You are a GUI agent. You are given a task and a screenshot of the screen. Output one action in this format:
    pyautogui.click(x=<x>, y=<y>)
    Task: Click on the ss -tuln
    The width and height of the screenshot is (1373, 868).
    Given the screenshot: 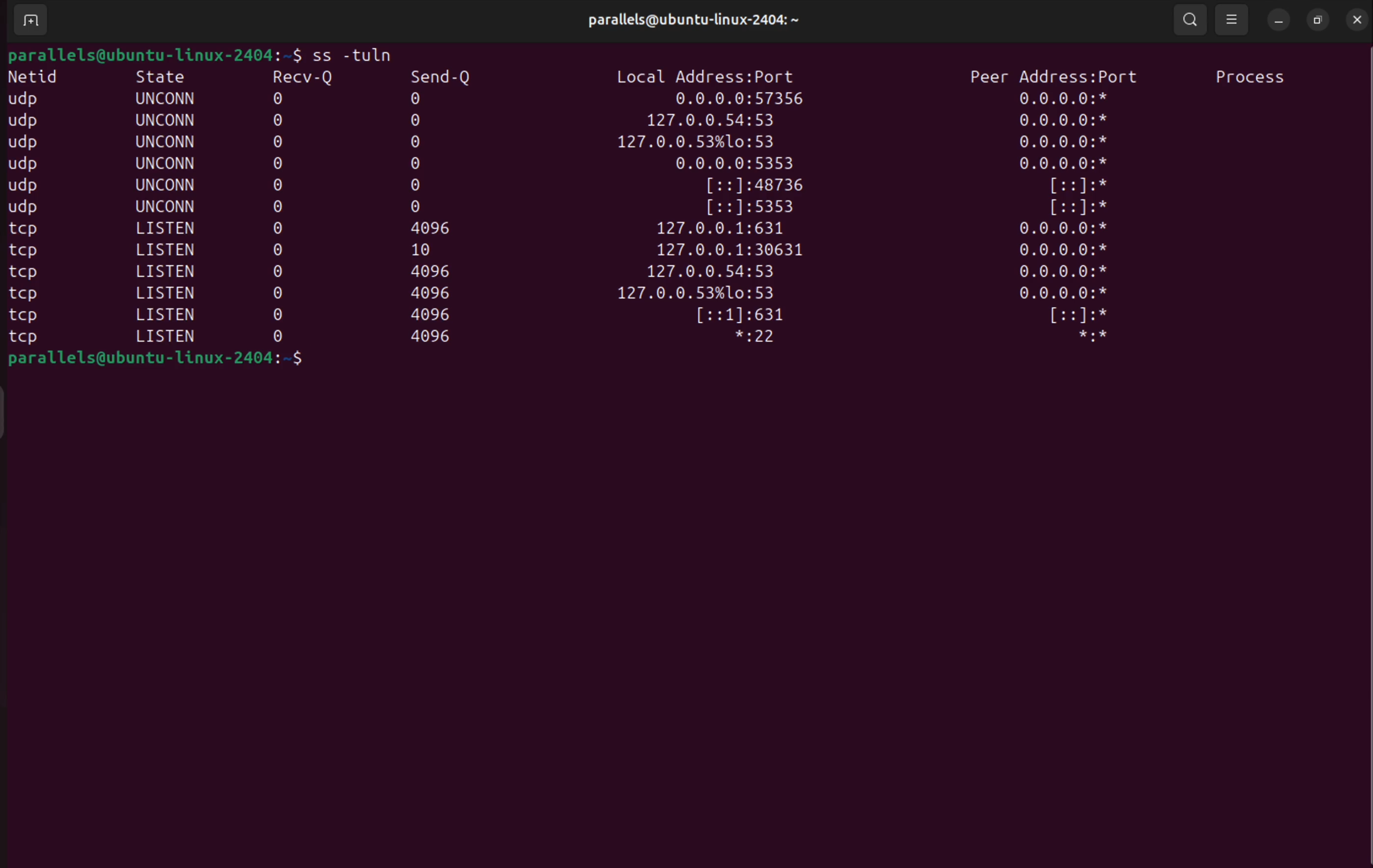 What is the action you would take?
    pyautogui.click(x=344, y=52)
    